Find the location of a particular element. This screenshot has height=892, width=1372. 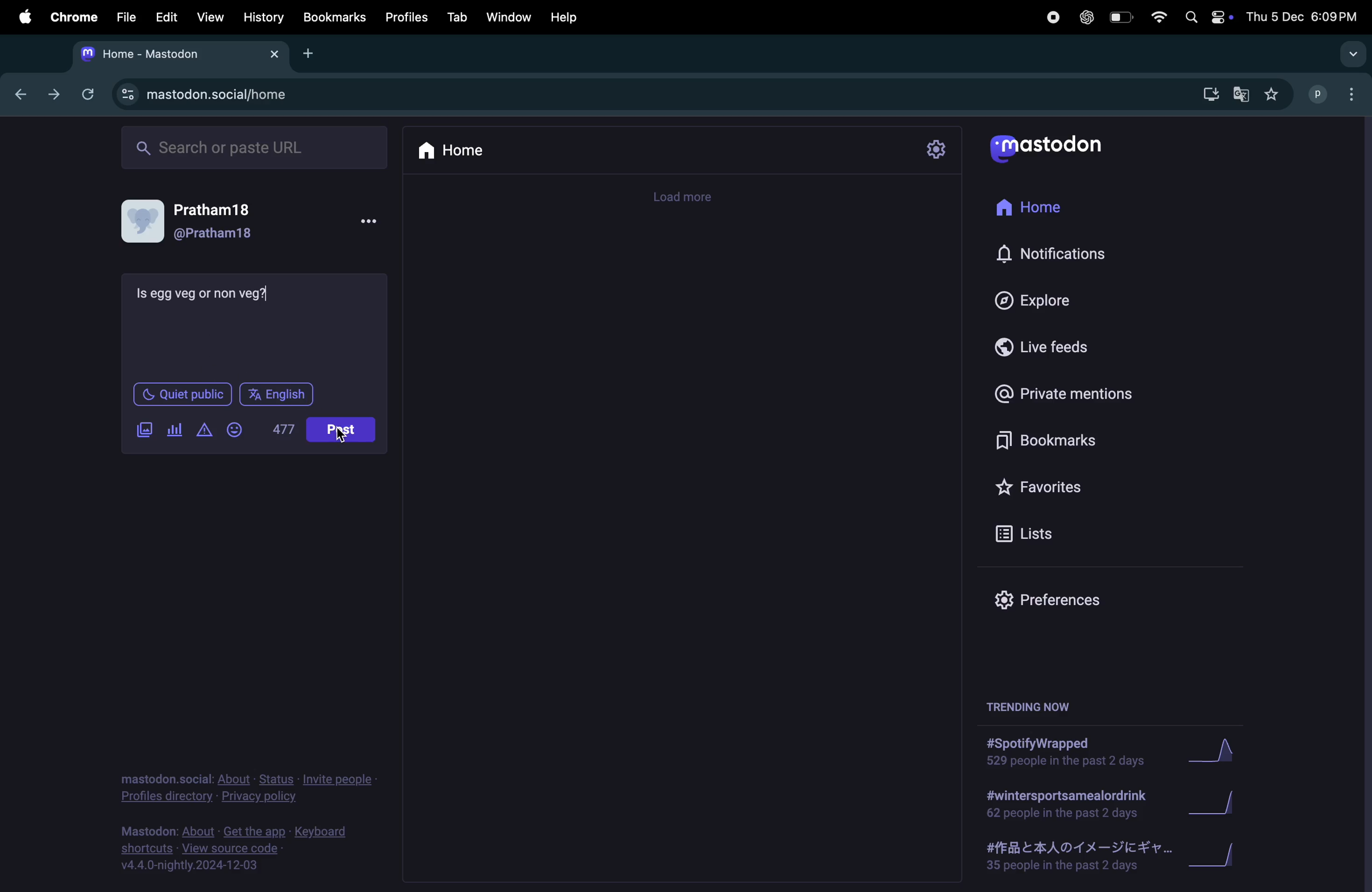

mastodonsocial url is located at coordinates (207, 95).